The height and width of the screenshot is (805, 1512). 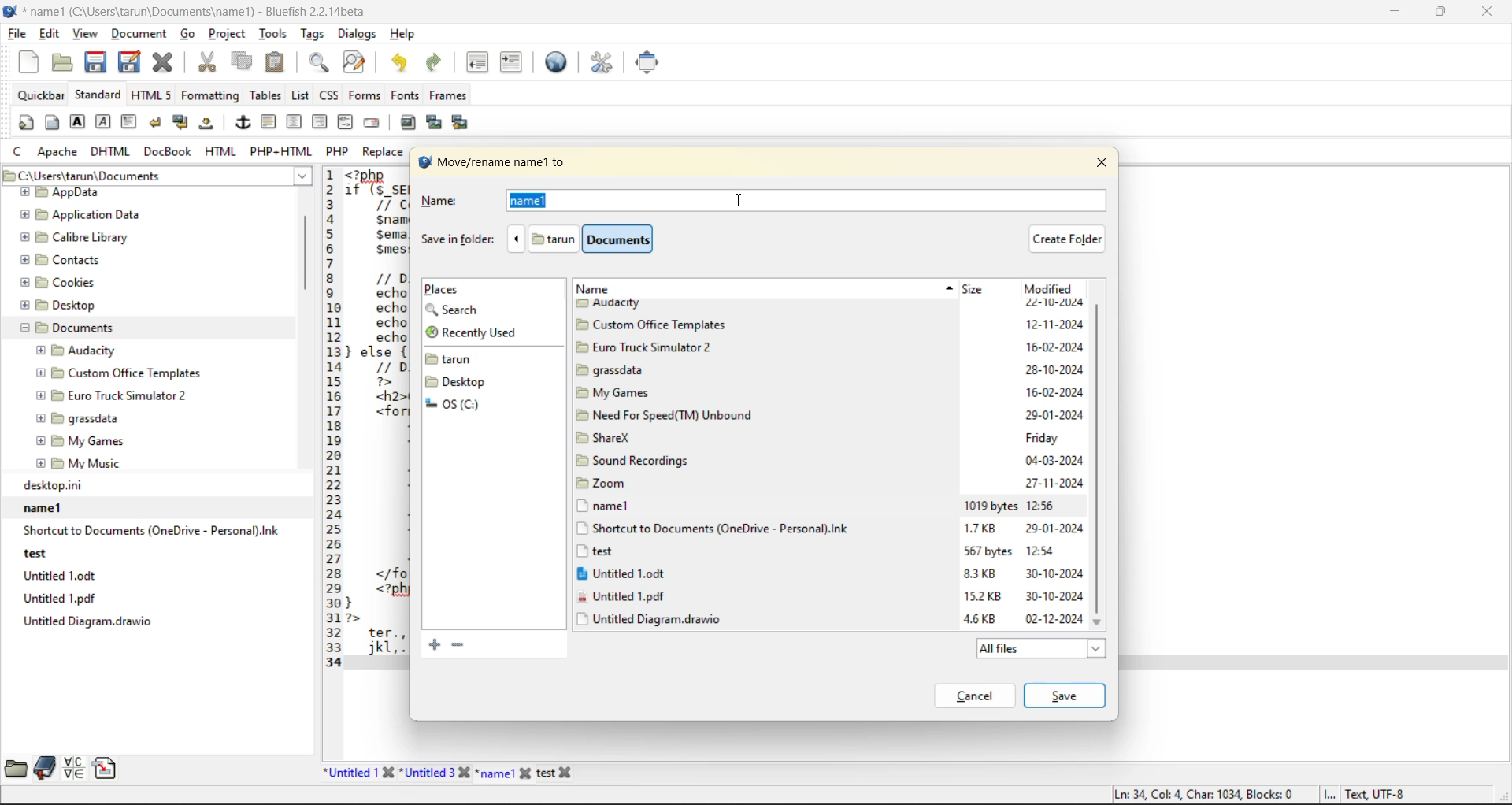 What do you see at coordinates (265, 95) in the screenshot?
I see `tables` at bounding box center [265, 95].